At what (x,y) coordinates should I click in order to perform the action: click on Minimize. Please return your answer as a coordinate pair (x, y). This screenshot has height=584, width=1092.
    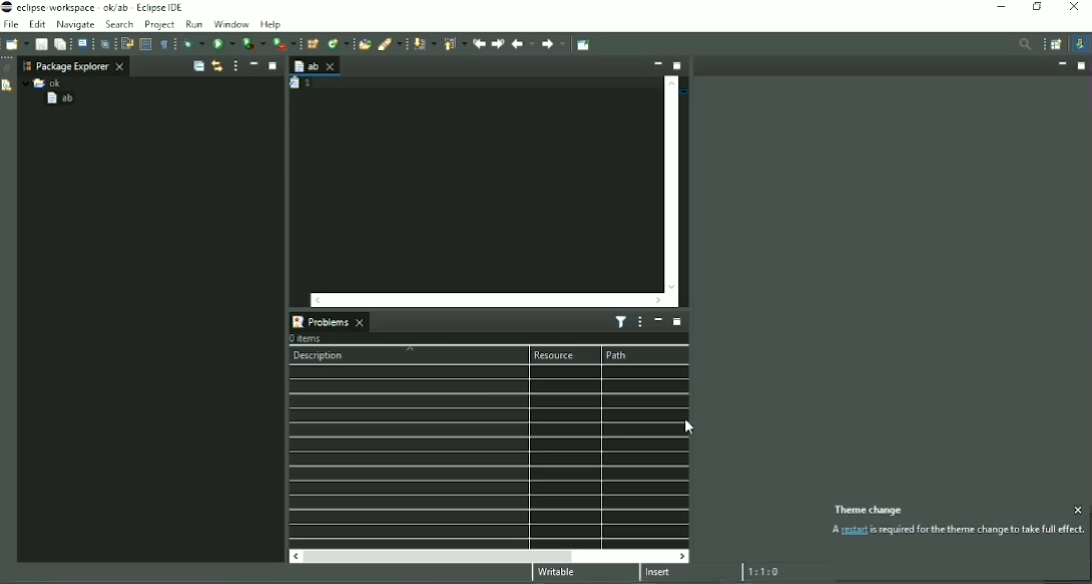
    Looking at the image, I should click on (1062, 64).